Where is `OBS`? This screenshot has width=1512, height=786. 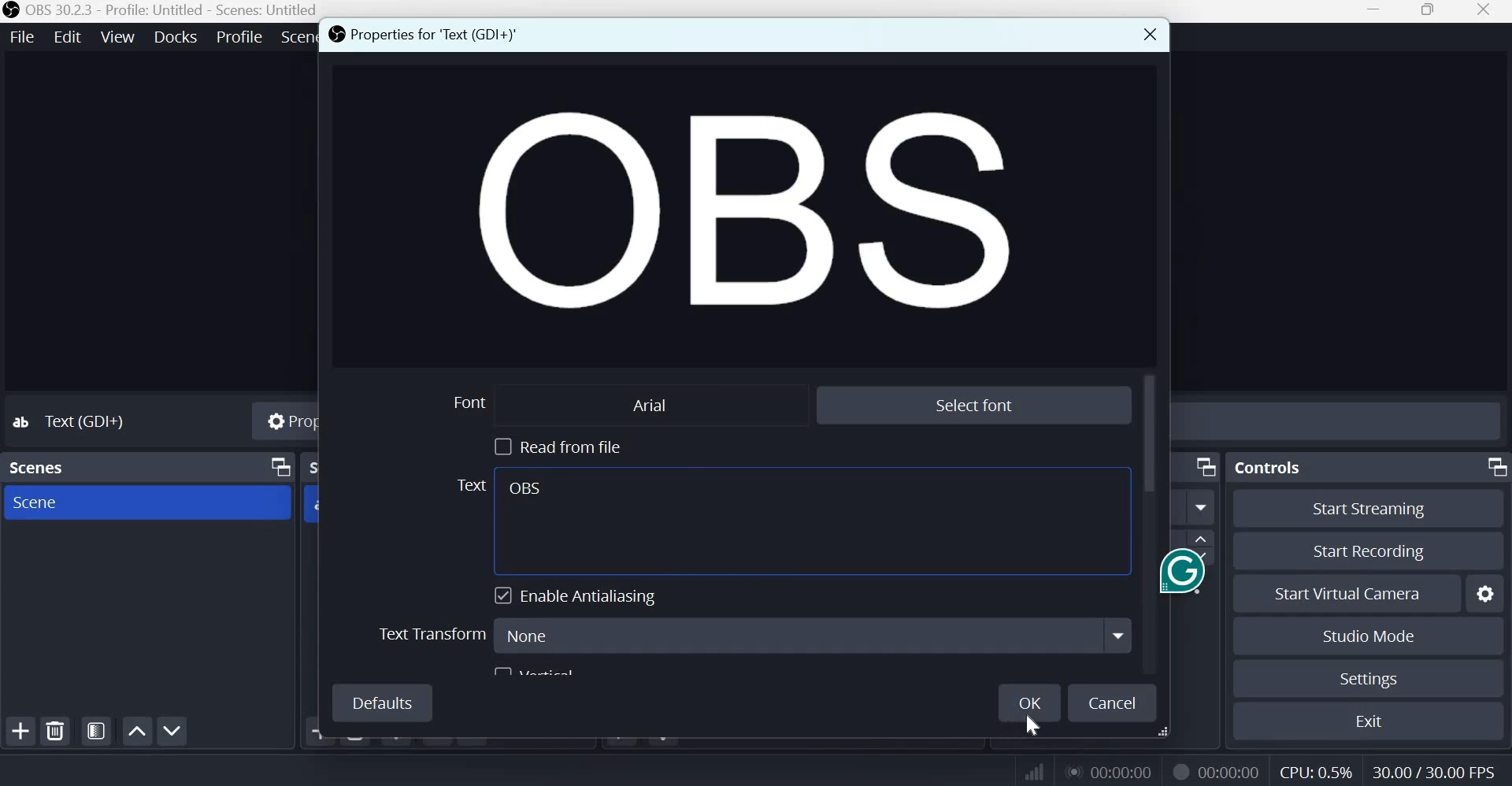
OBS is located at coordinates (728, 213).